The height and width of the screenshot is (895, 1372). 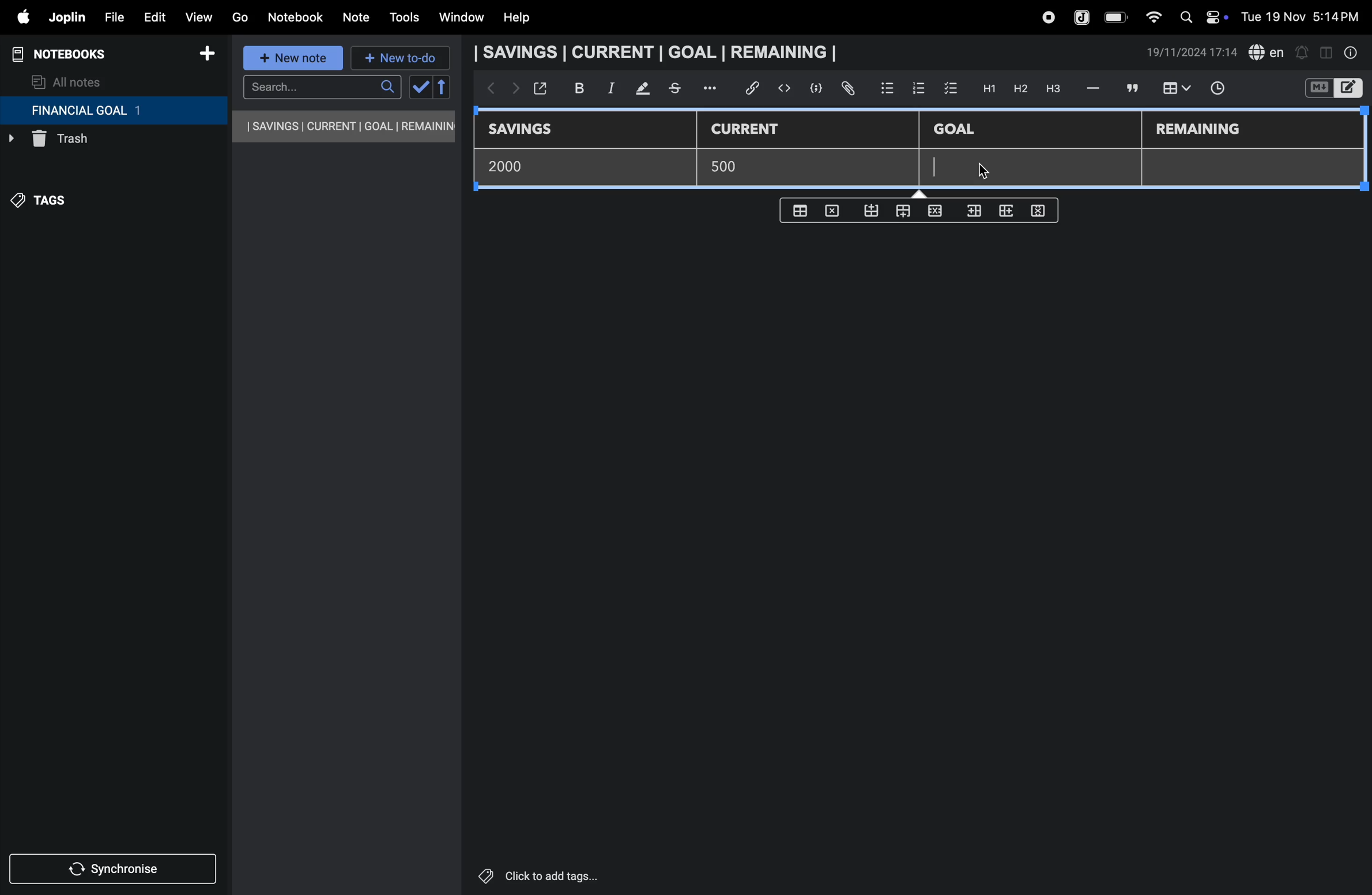 I want to click on hifen, so click(x=1095, y=88).